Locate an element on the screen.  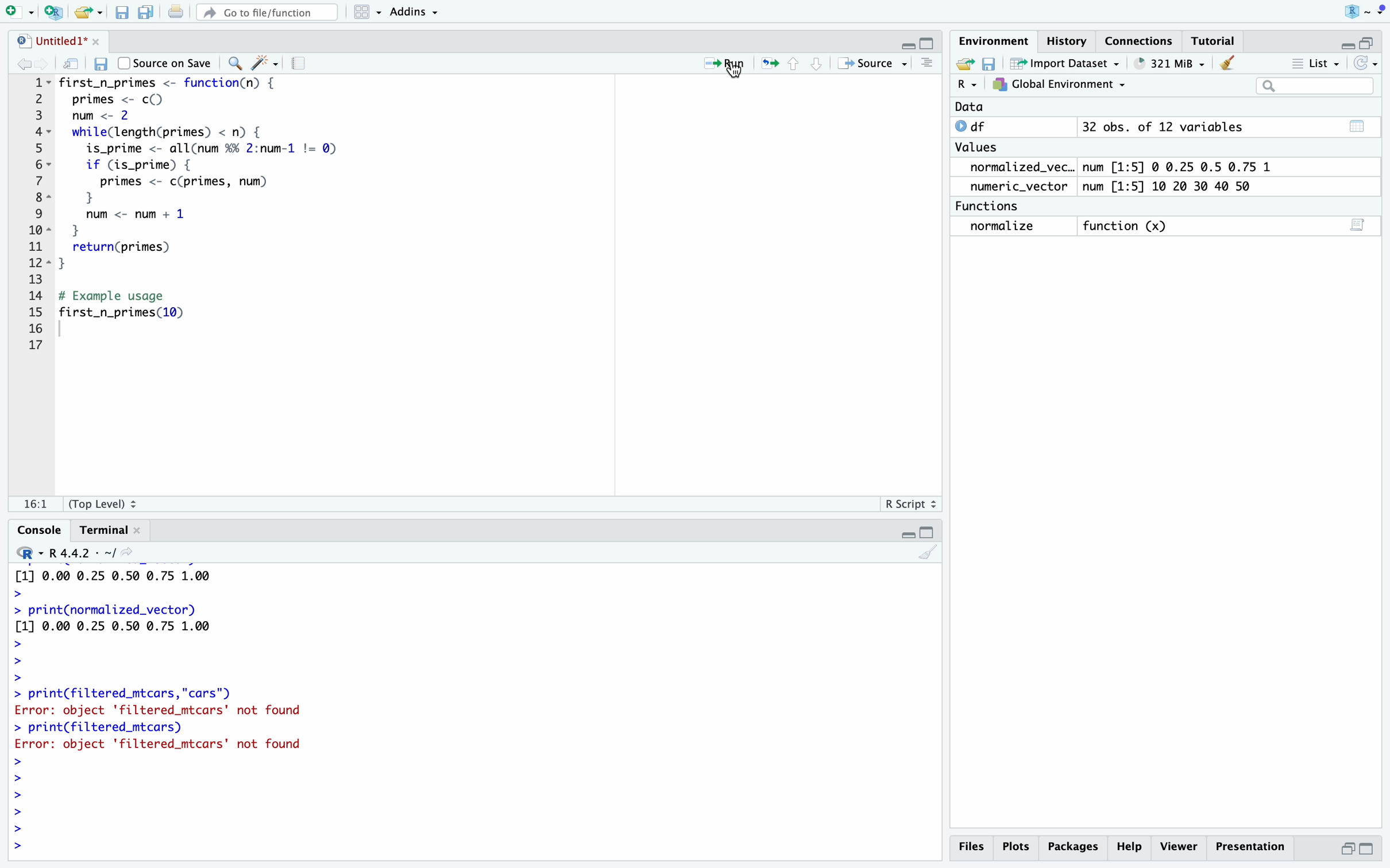
workspaces is located at coordinates (363, 10).